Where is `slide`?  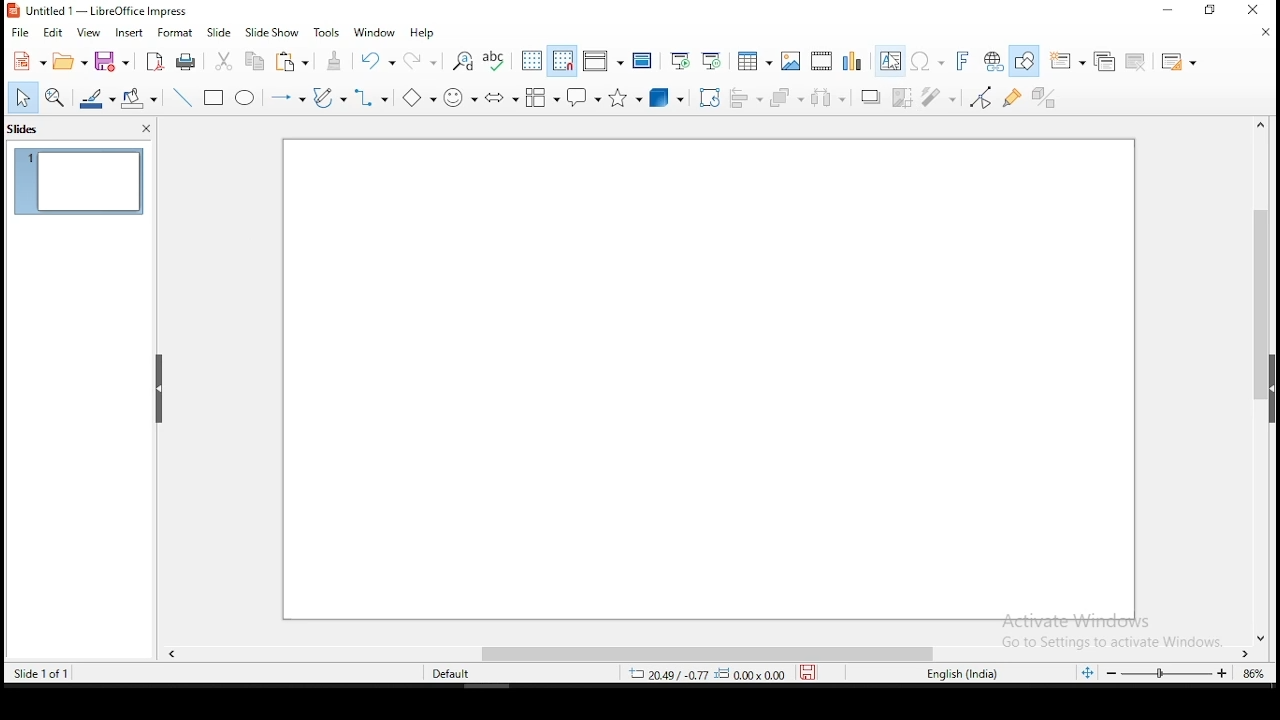 slide is located at coordinates (223, 32).